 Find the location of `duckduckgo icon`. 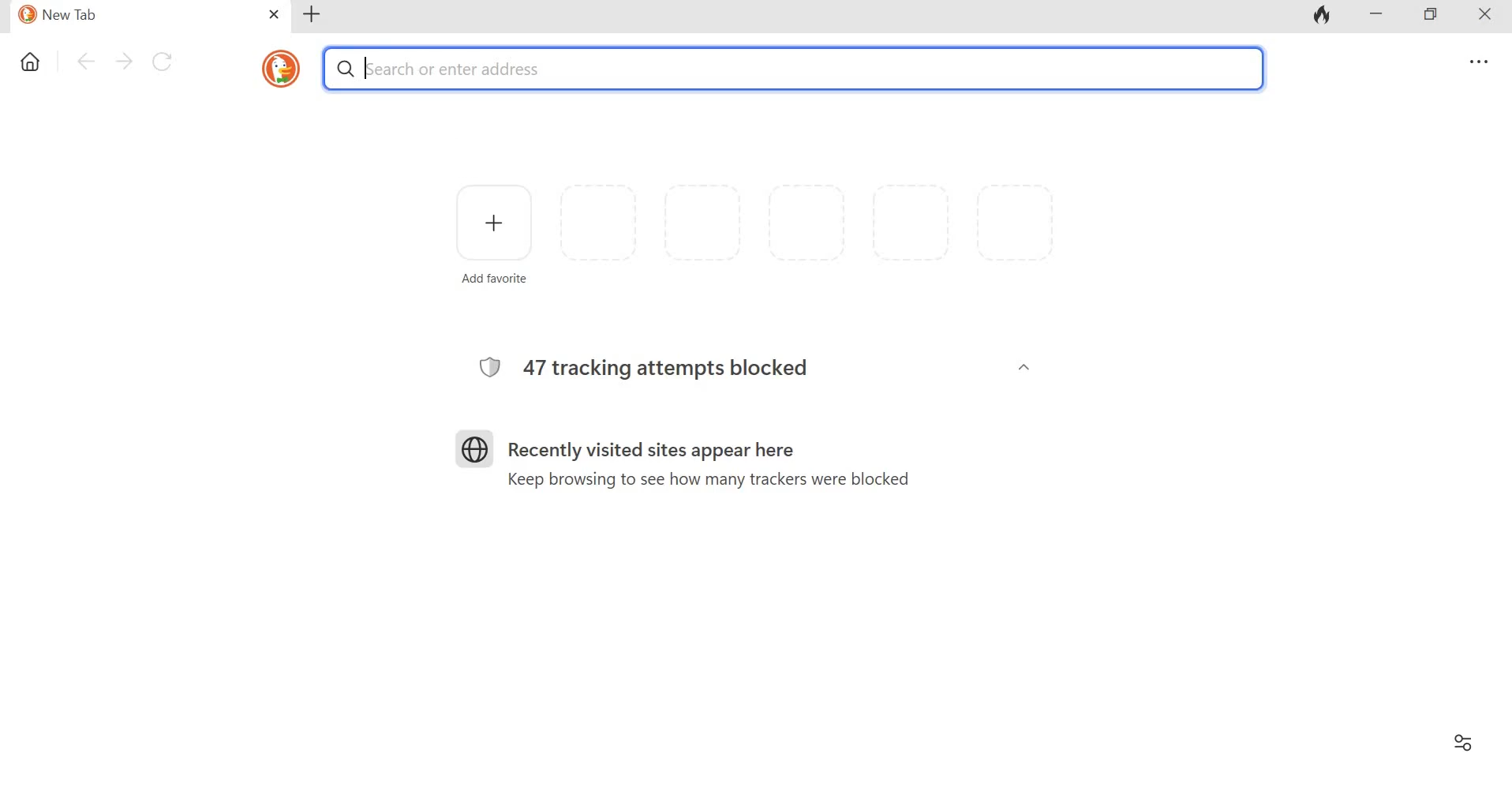

duckduckgo icon is located at coordinates (281, 69).